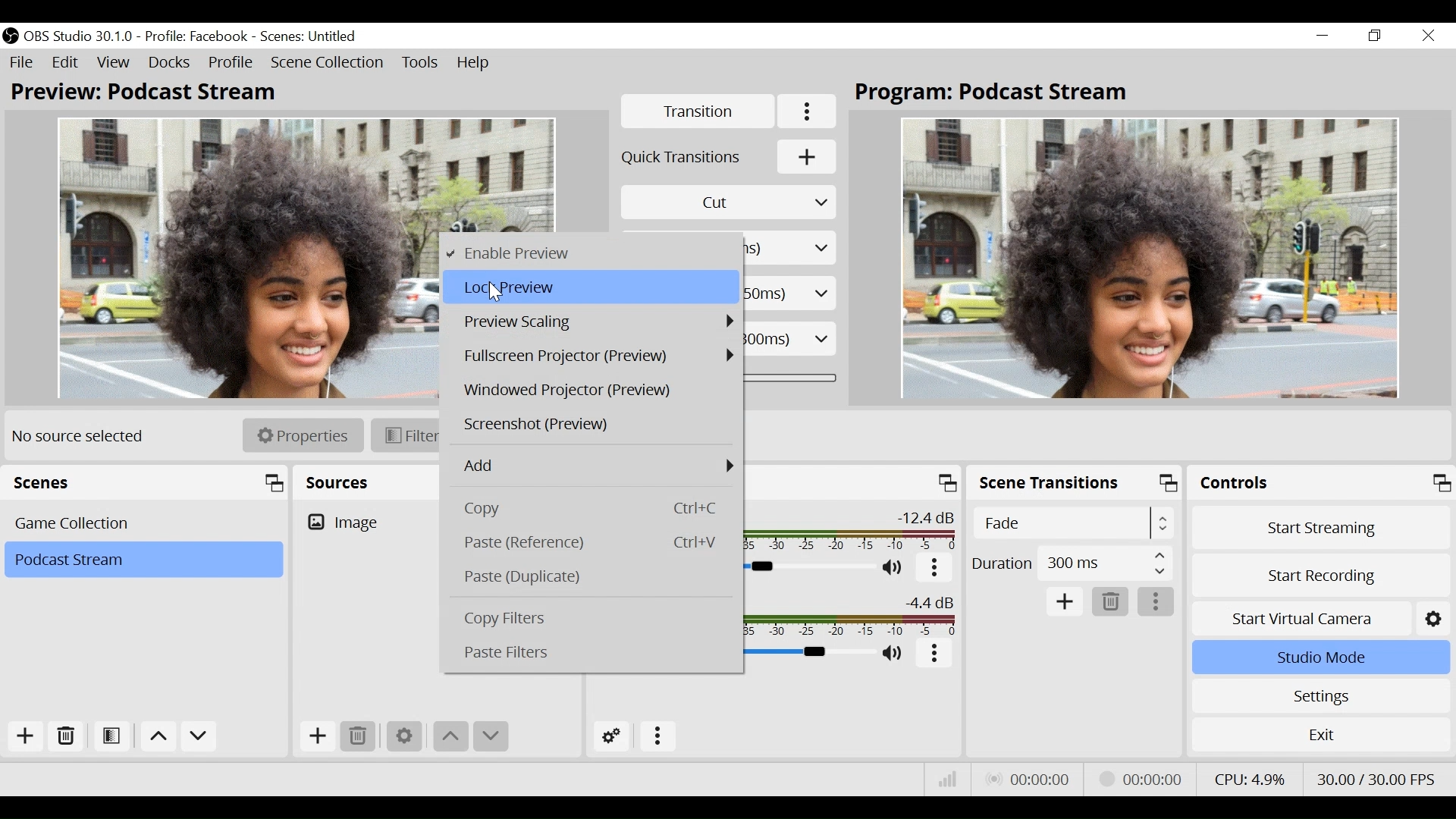  I want to click on Studio Mode, so click(1319, 658).